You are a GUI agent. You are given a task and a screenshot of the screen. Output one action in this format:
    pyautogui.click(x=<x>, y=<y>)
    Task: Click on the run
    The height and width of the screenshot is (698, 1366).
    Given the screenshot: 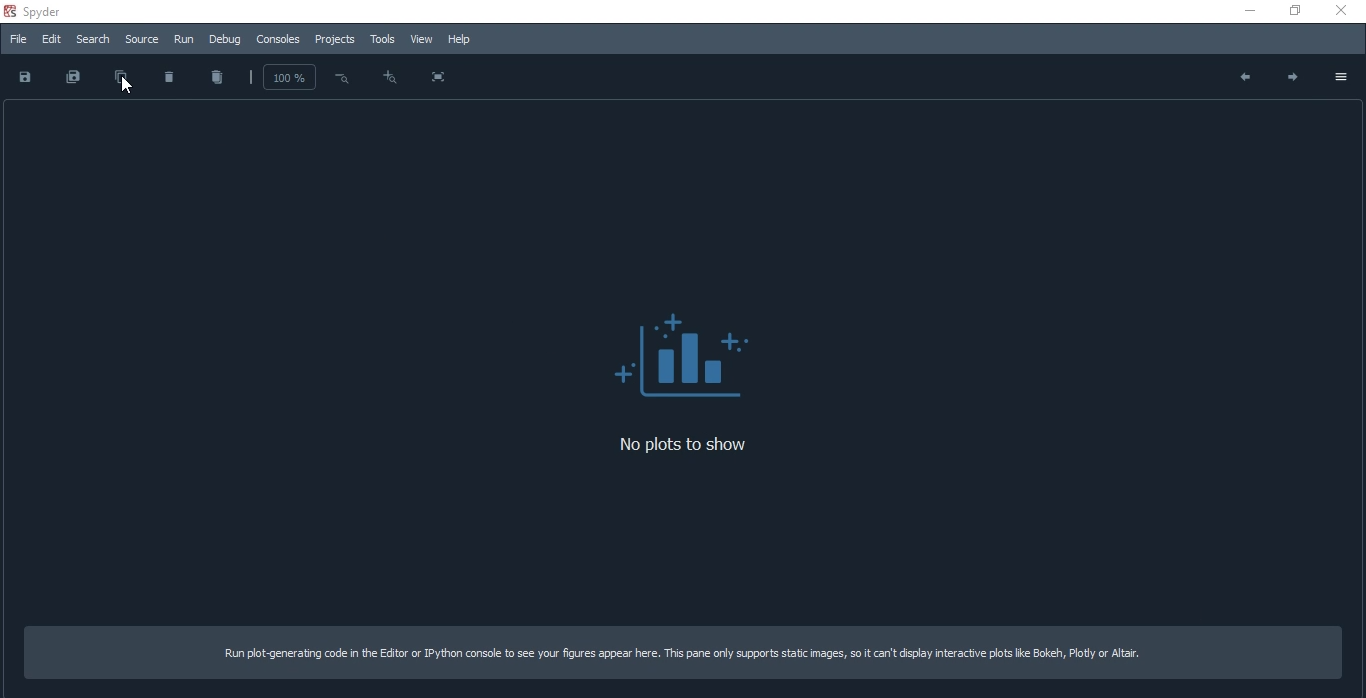 What is the action you would take?
    pyautogui.click(x=185, y=40)
    